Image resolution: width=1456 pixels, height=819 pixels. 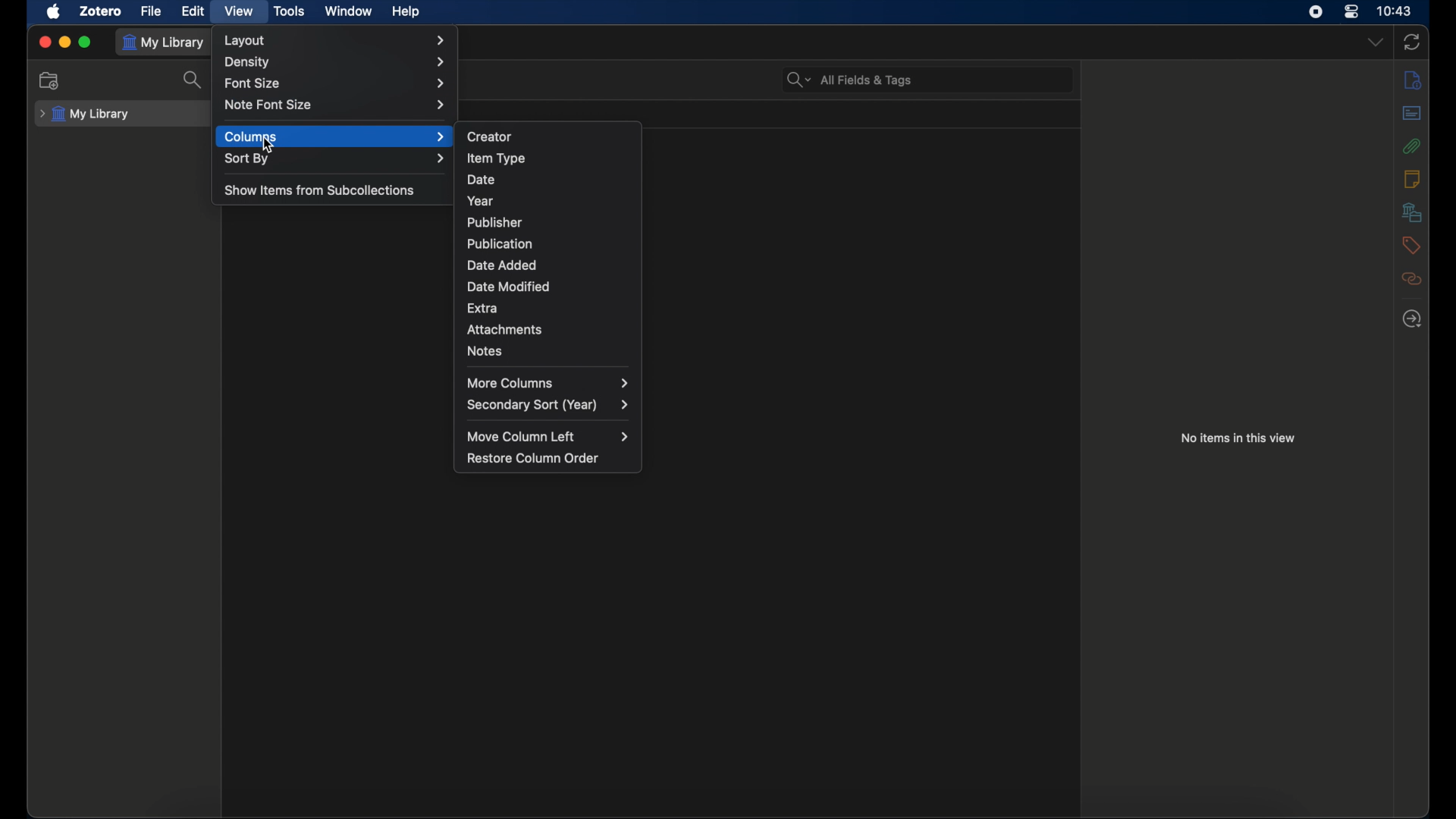 What do you see at coordinates (1318, 12) in the screenshot?
I see `screen recorder` at bounding box center [1318, 12].